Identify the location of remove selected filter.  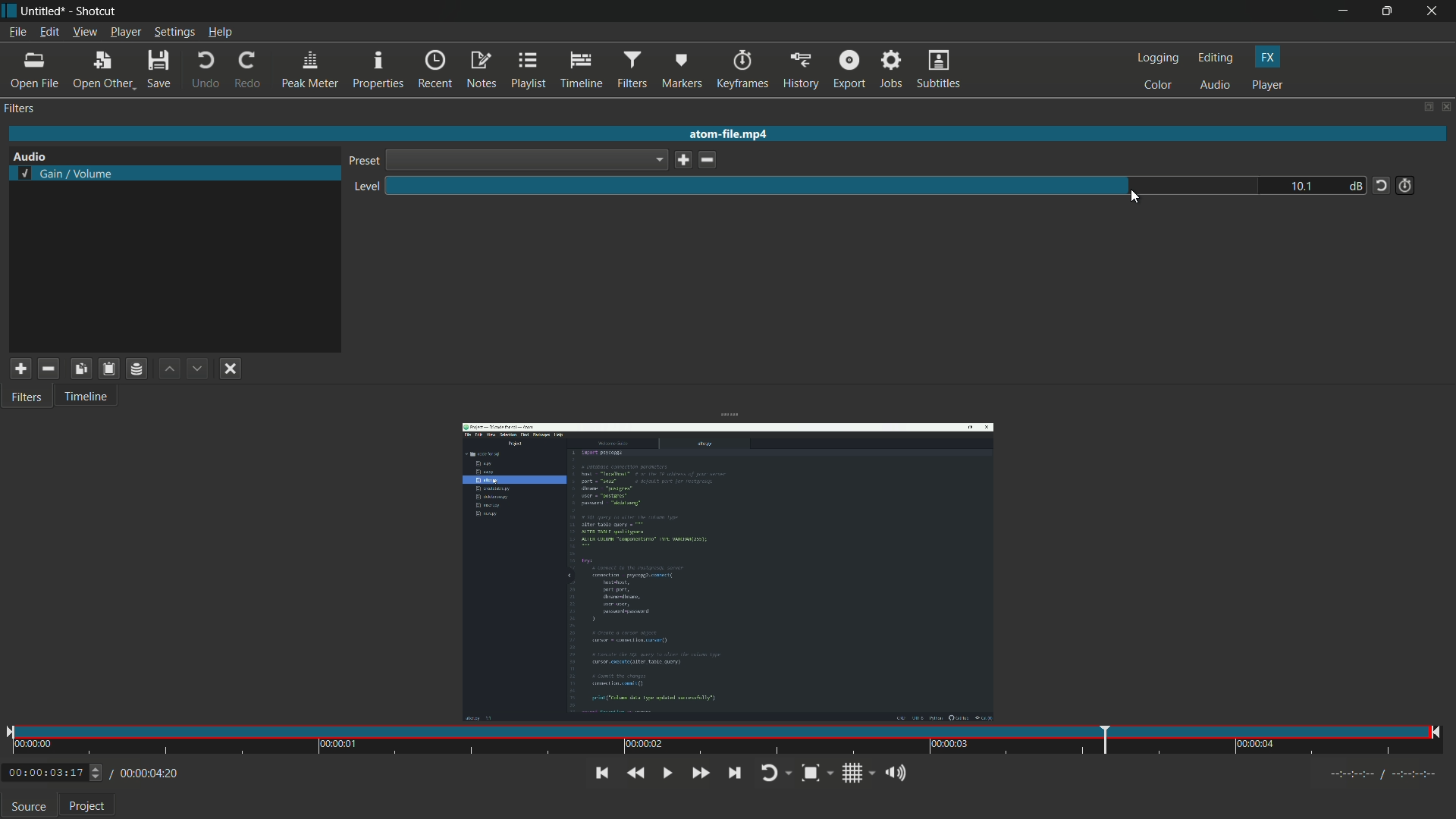
(49, 369).